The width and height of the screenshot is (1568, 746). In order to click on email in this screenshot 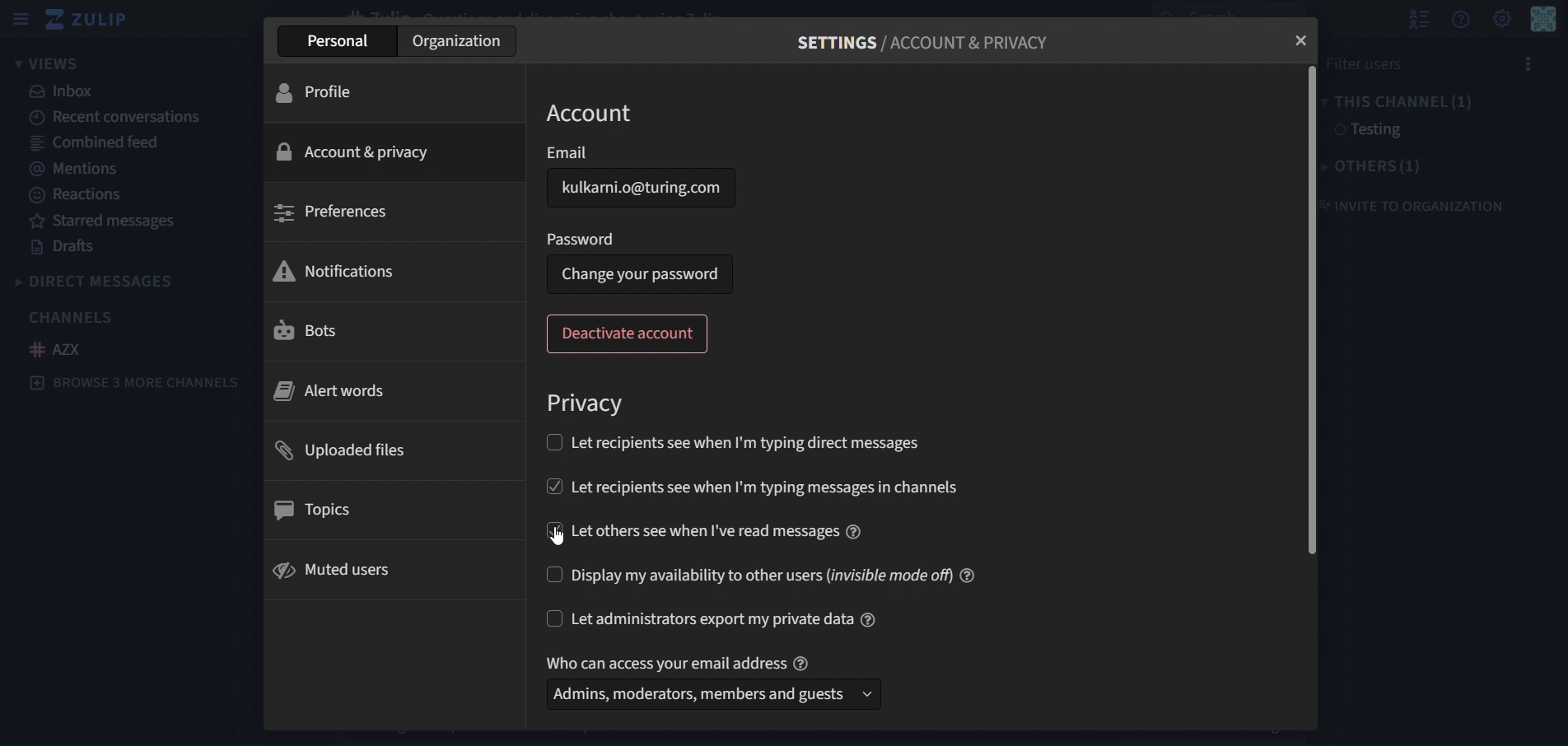, I will do `click(642, 153)`.